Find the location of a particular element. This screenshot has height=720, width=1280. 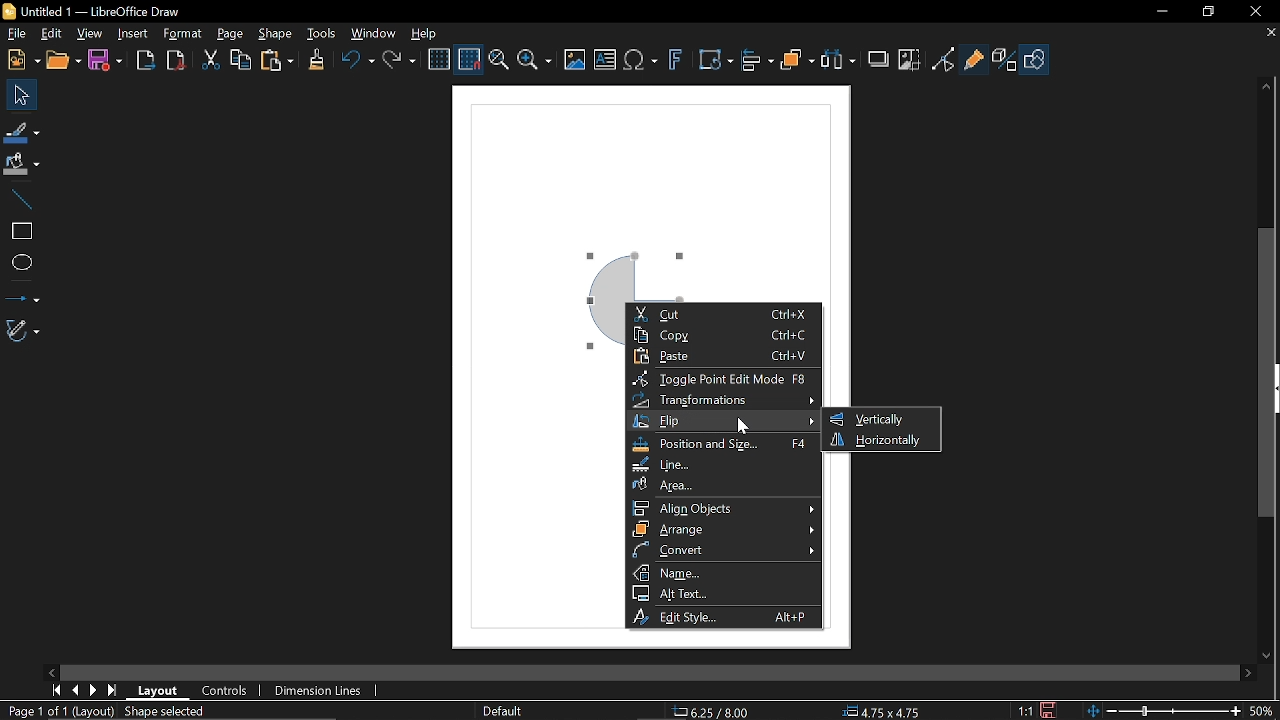

Select is located at coordinates (22, 96).